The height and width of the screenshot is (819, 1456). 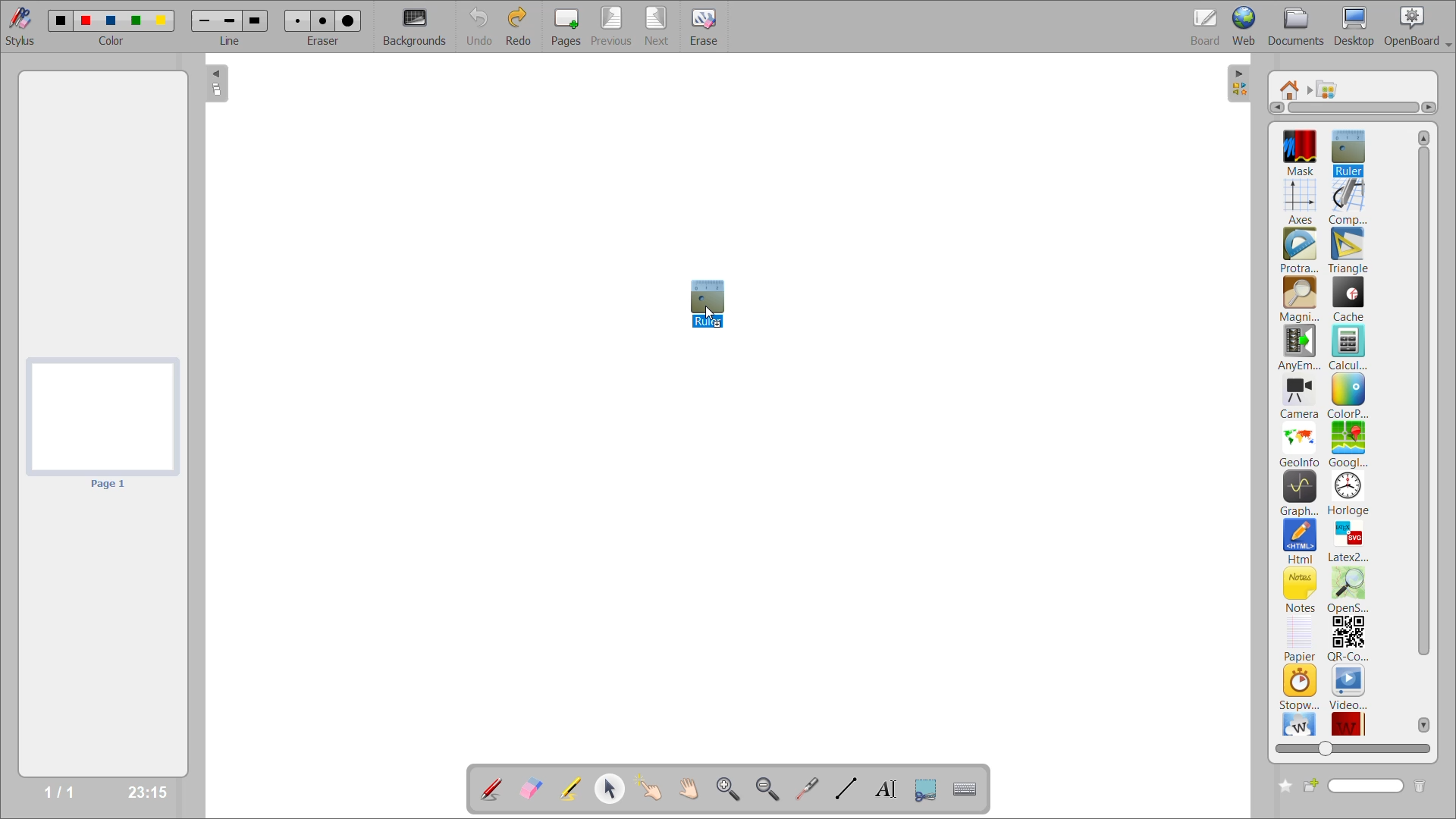 What do you see at coordinates (1301, 348) in the screenshot?
I see `anyembed` at bounding box center [1301, 348].